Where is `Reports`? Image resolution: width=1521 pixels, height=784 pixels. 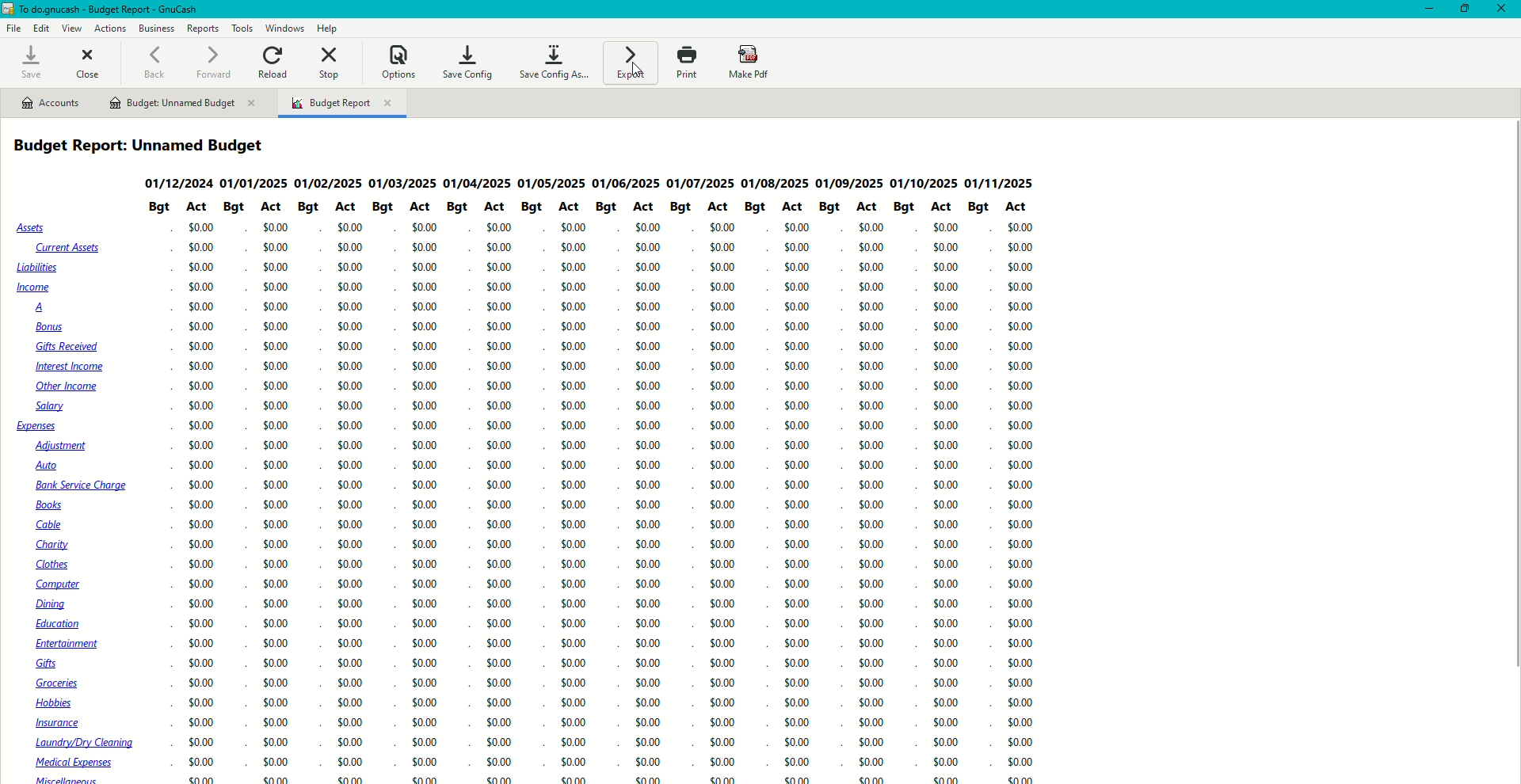
Reports is located at coordinates (203, 29).